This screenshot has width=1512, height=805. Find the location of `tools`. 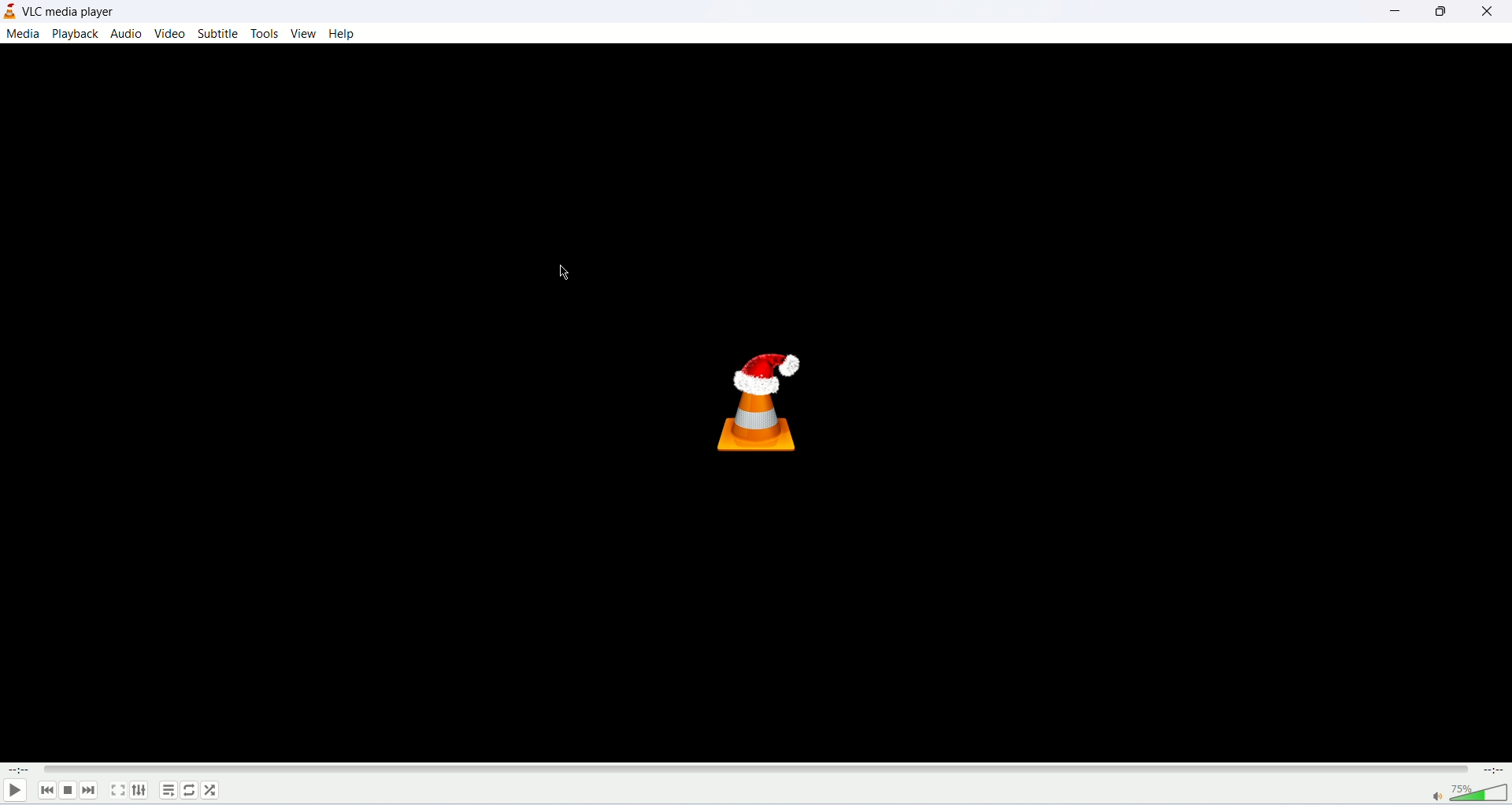

tools is located at coordinates (263, 32).